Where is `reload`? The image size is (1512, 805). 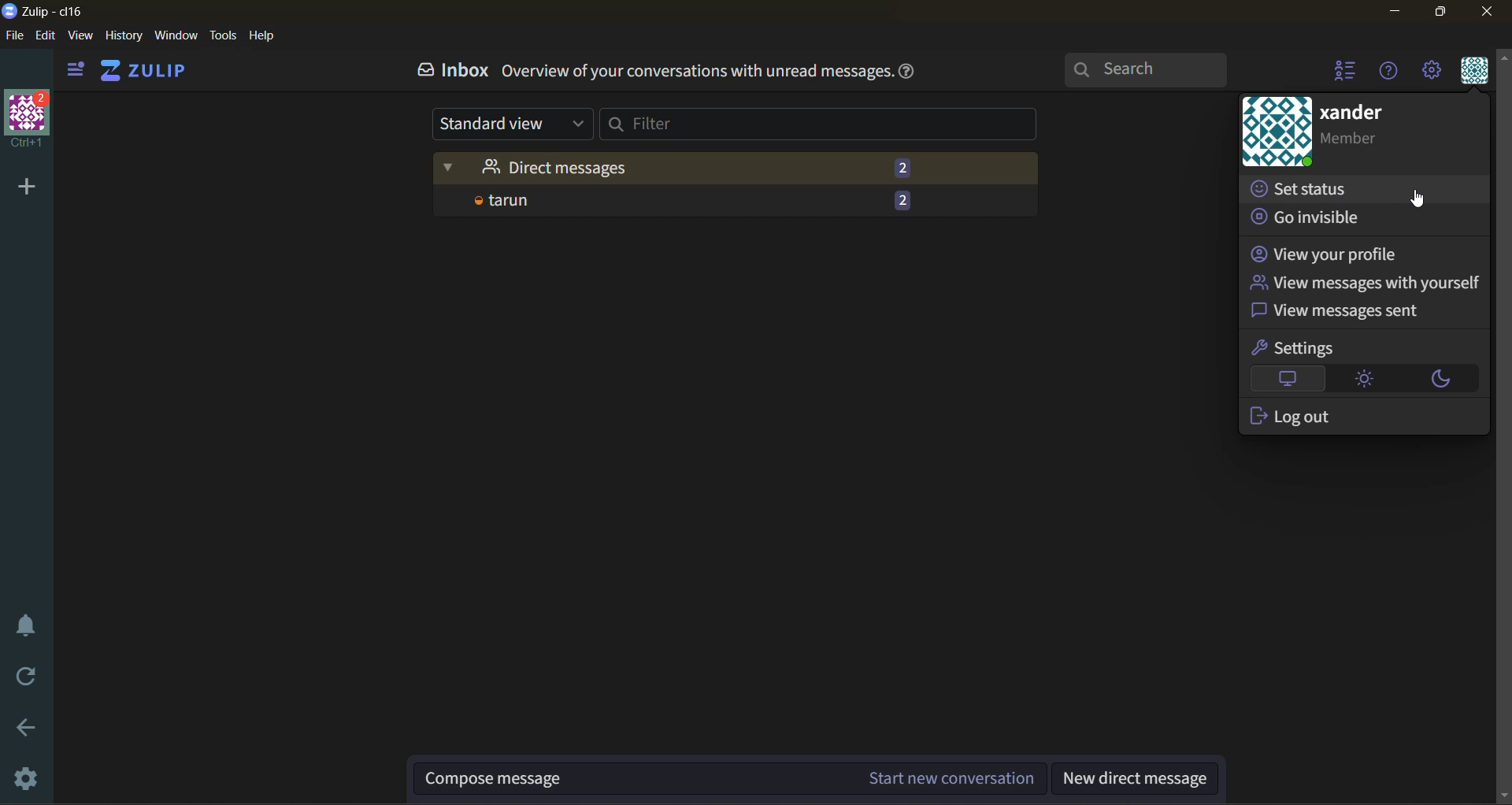 reload is located at coordinates (25, 677).